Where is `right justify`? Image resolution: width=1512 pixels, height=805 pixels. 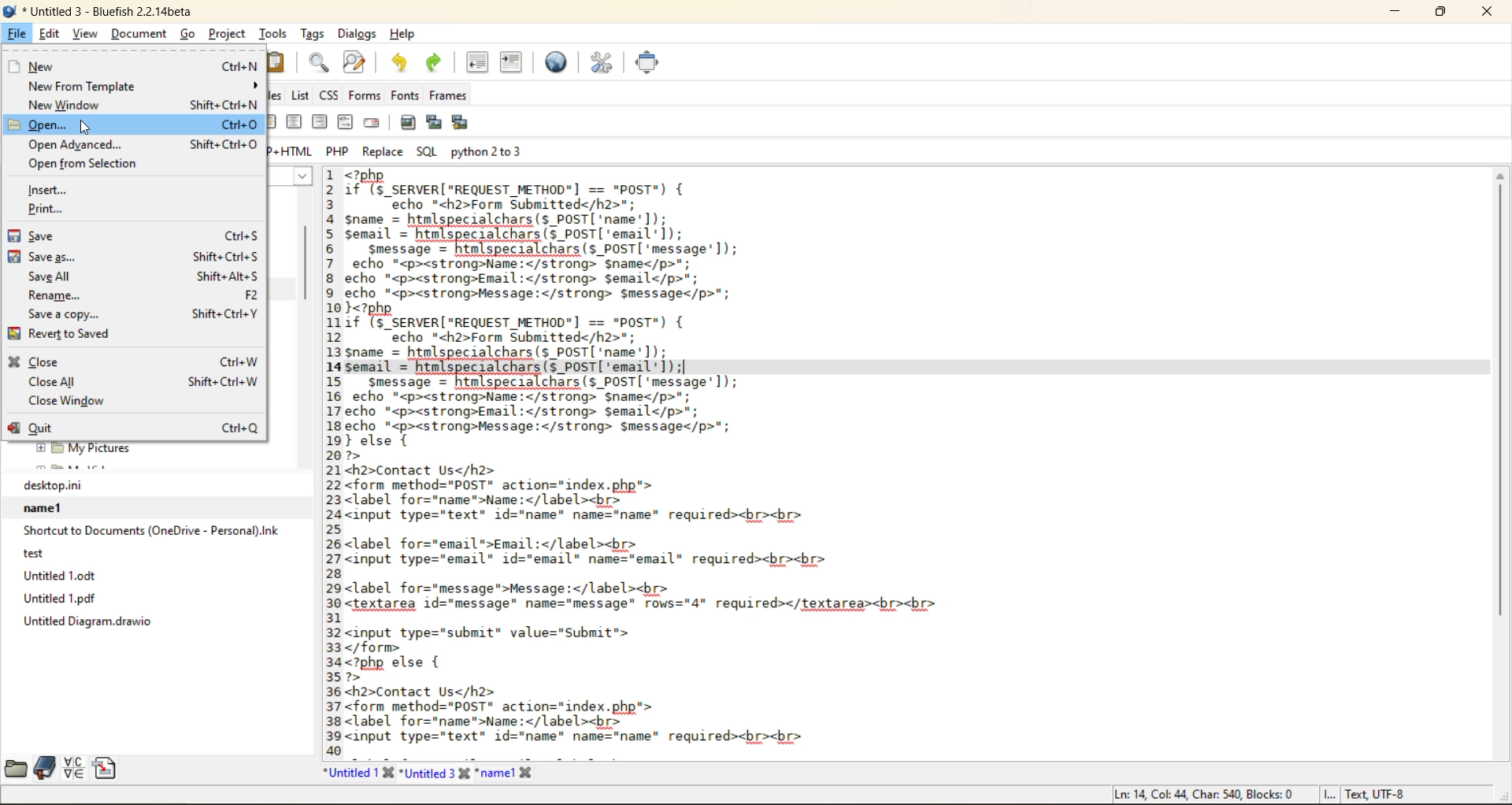
right justify is located at coordinates (320, 122).